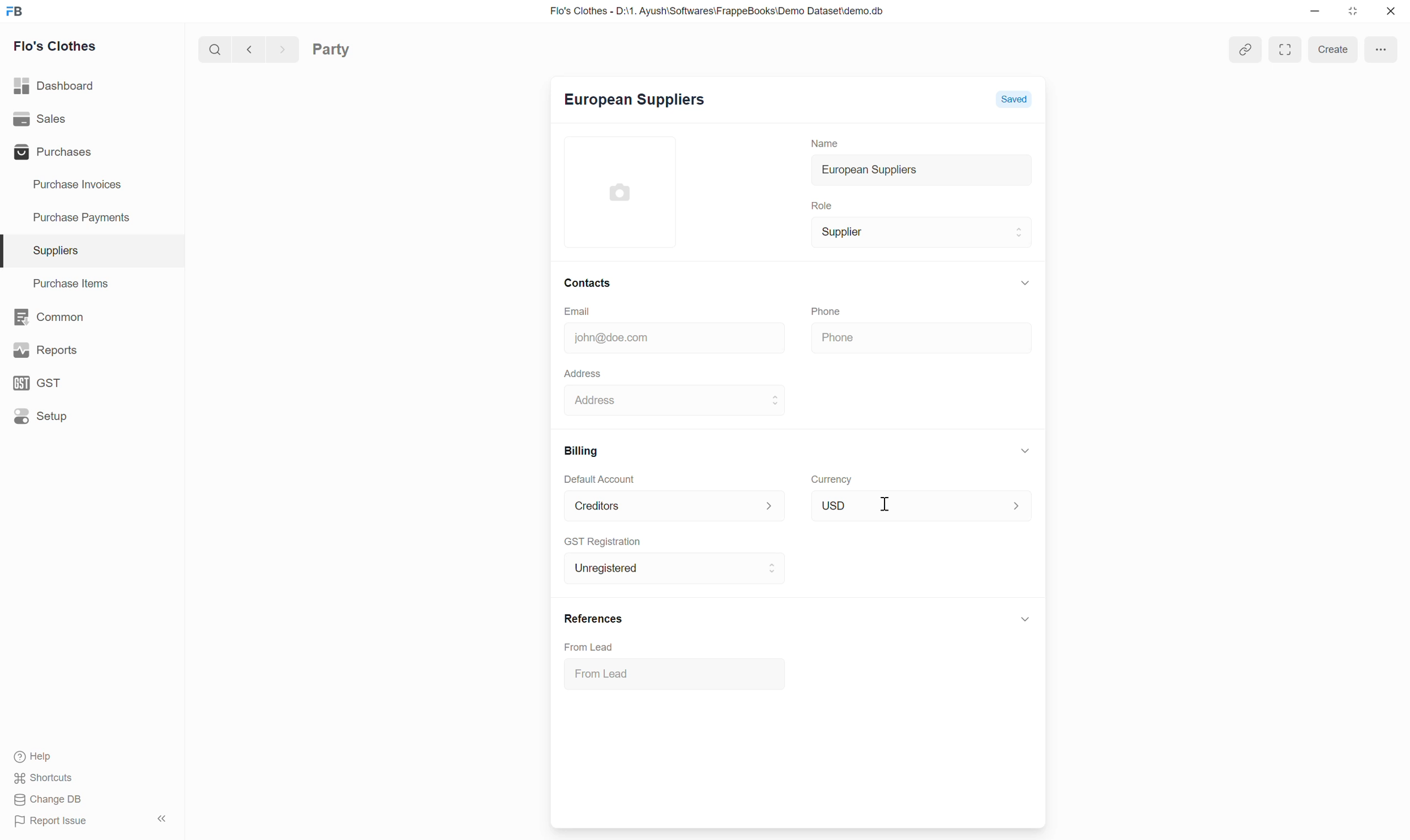 The width and height of the screenshot is (1410, 840). Describe the element at coordinates (1354, 12) in the screenshot. I see `close down` at that location.